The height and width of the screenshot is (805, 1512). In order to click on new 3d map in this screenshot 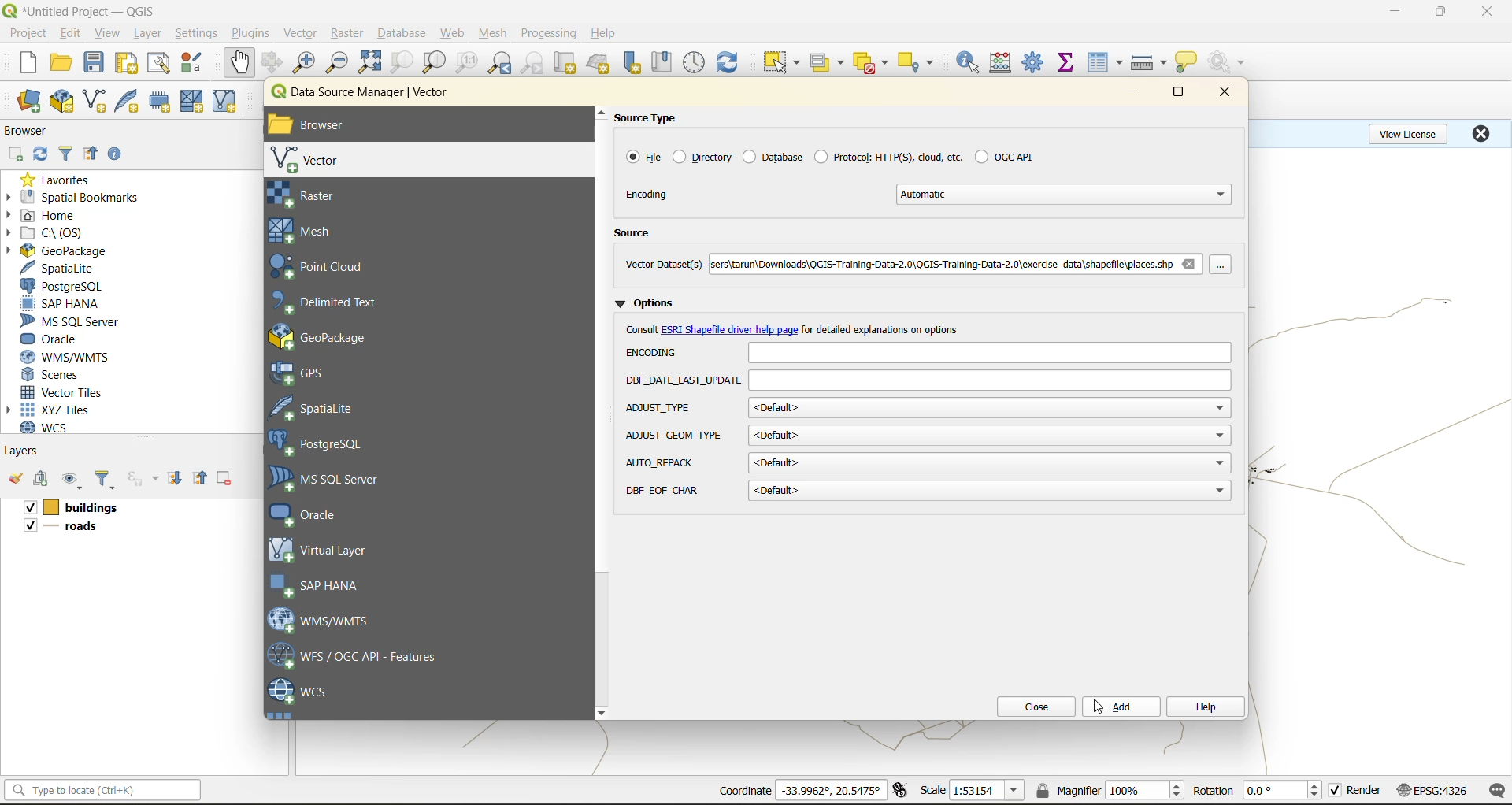, I will do `click(600, 63)`.